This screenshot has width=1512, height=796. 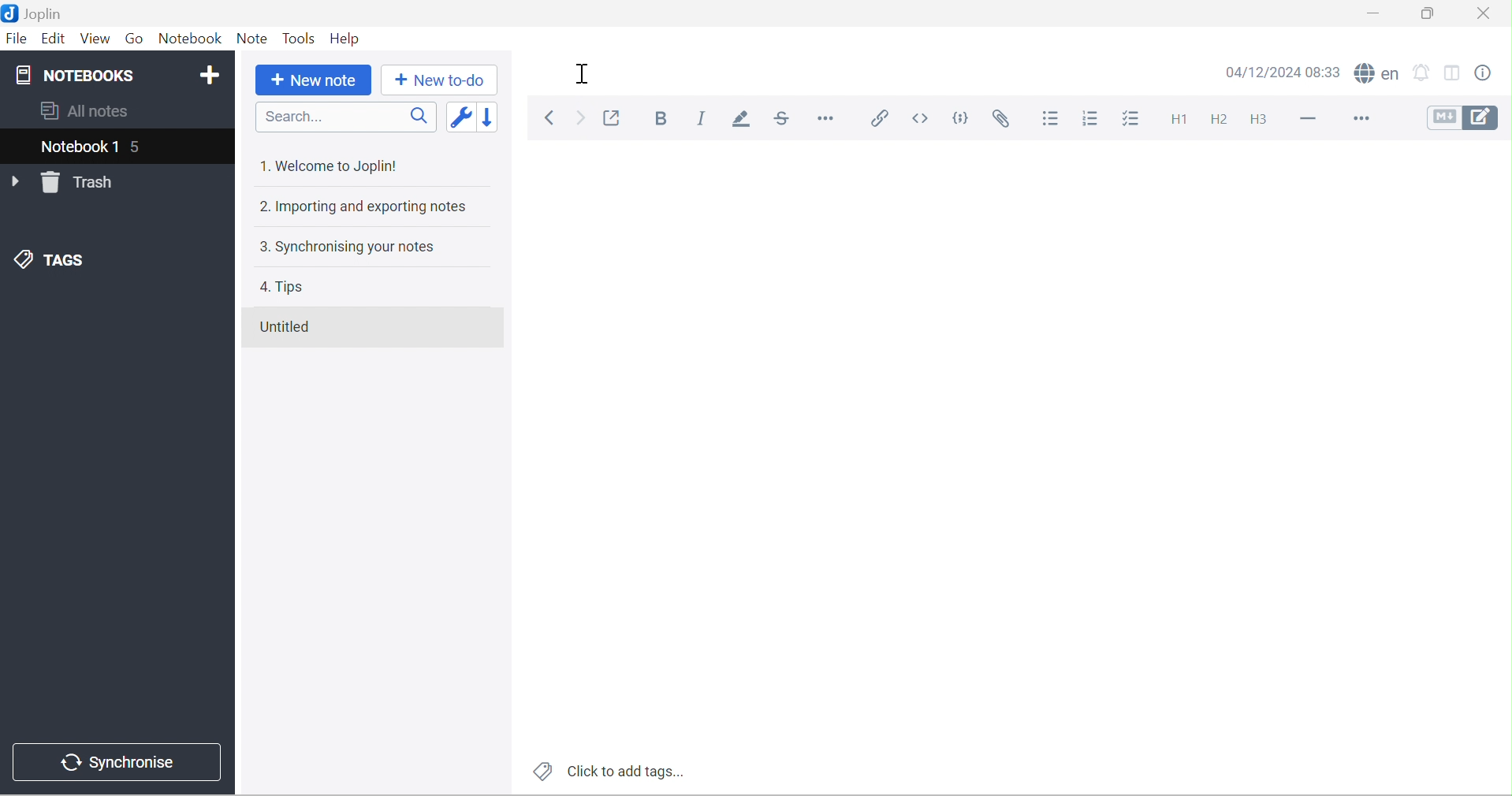 I want to click on Horizontal, so click(x=826, y=117).